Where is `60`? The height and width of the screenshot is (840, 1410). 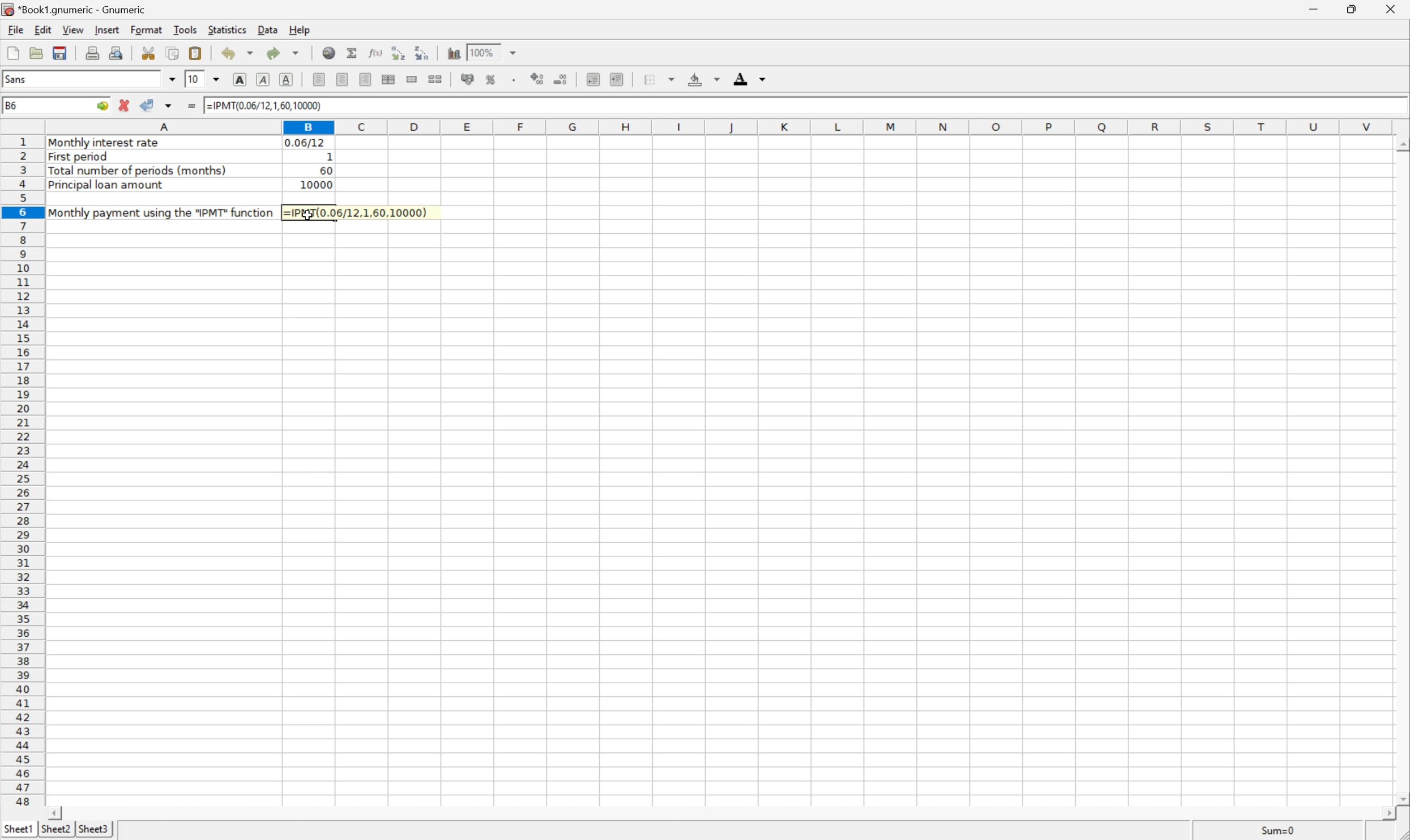 60 is located at coordinates (325, 170).